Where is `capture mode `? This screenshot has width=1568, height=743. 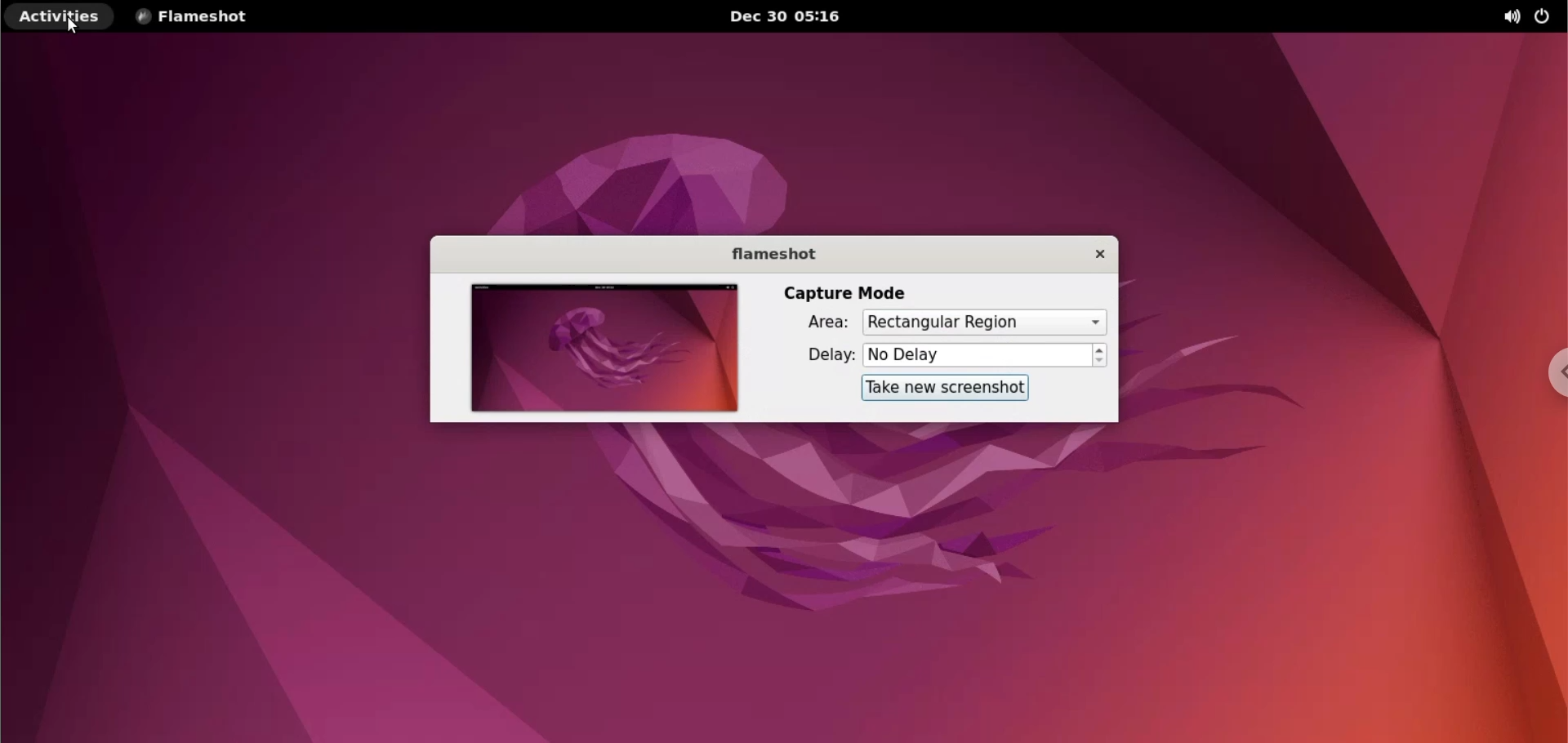 capture mode  is located at coordinates (851, 293).